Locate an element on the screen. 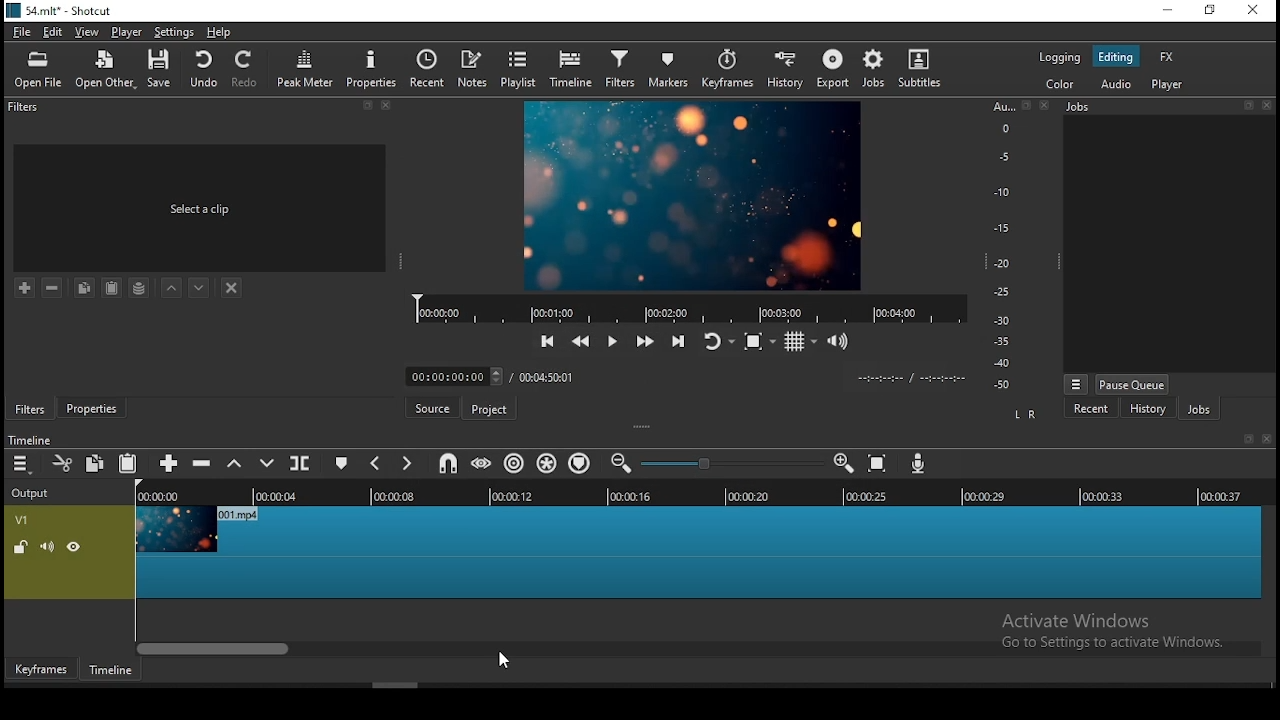 The height and width of the screenshot is (720, 1280). overwrite is located at coordinates (269, 463).